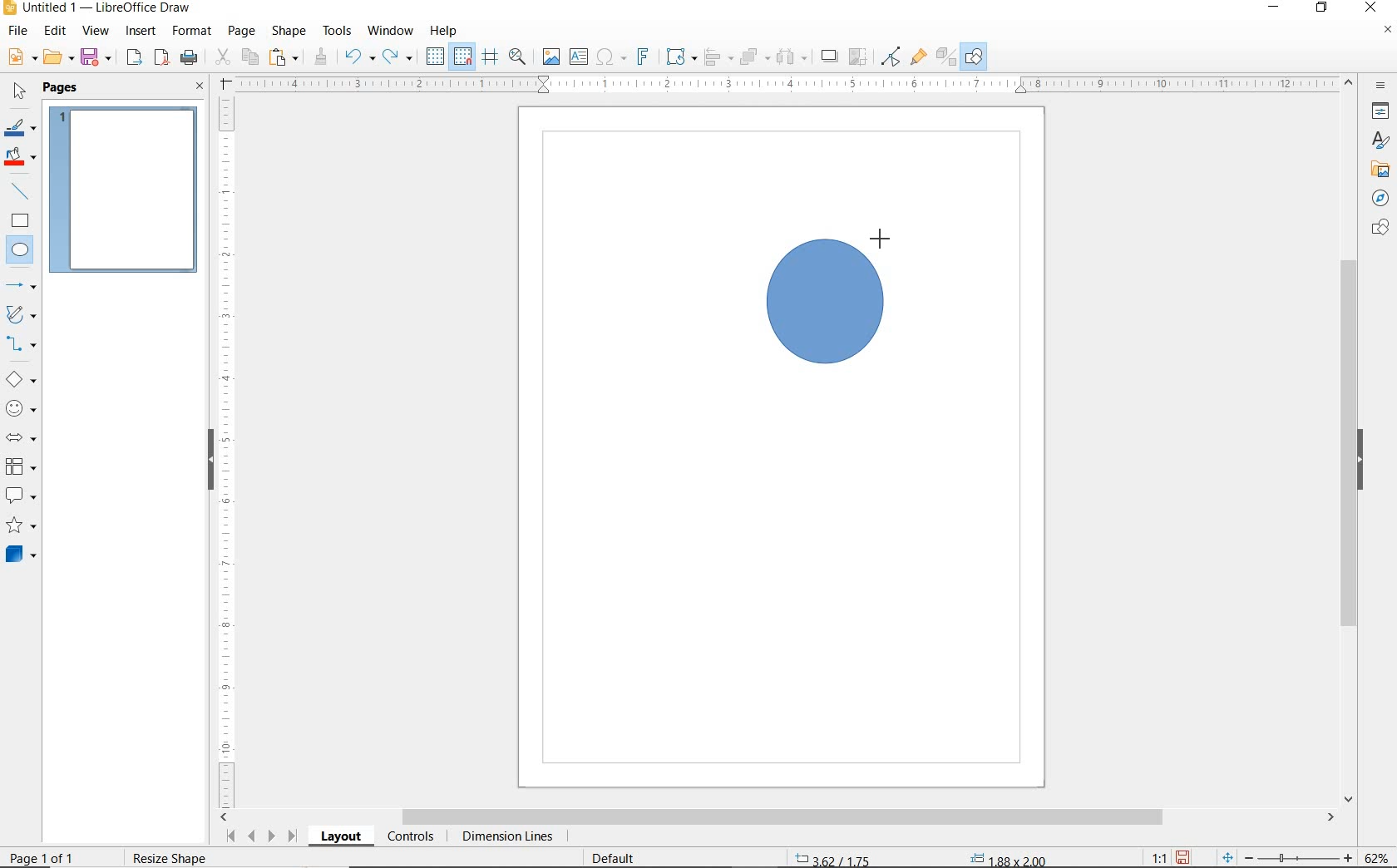 This screenshot has height=868, width=1397. Describe the element at coordinates (21, 527) in the screenshot. I see `STARS AND BANNERS` at that location.